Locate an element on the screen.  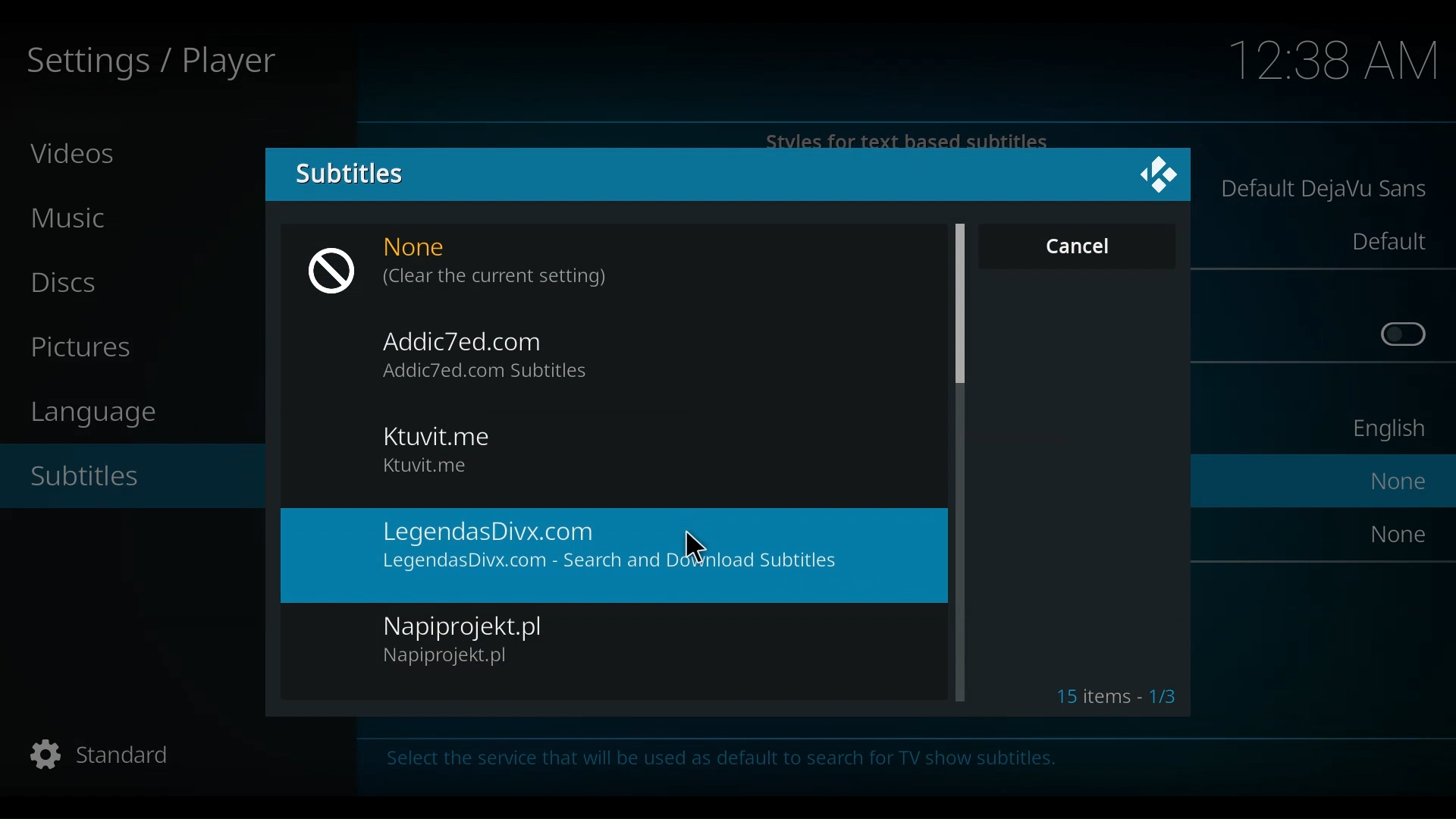
time is located at coordinates (1335, 62).